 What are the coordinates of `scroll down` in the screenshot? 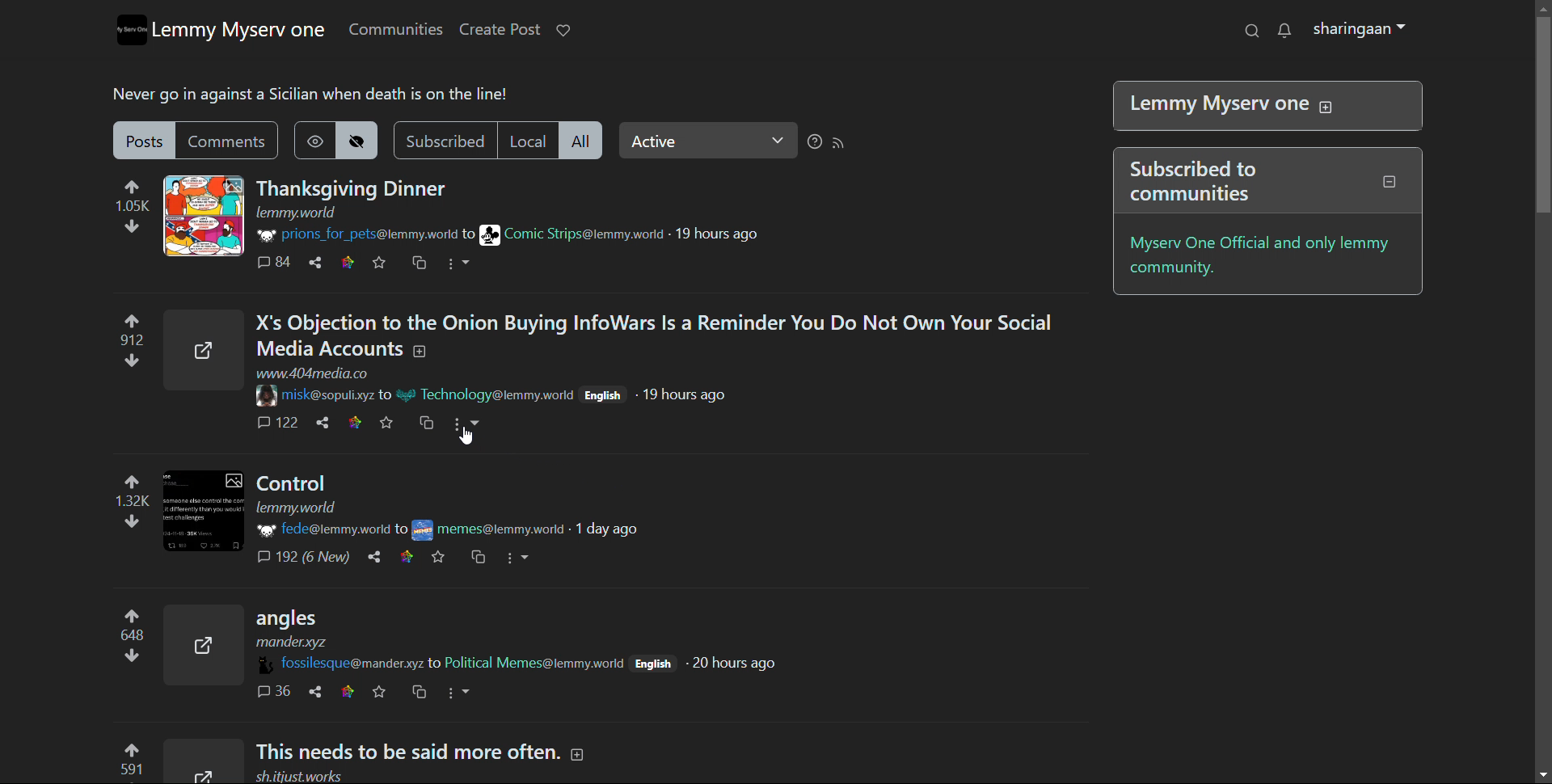 It's located at (1542, 775).